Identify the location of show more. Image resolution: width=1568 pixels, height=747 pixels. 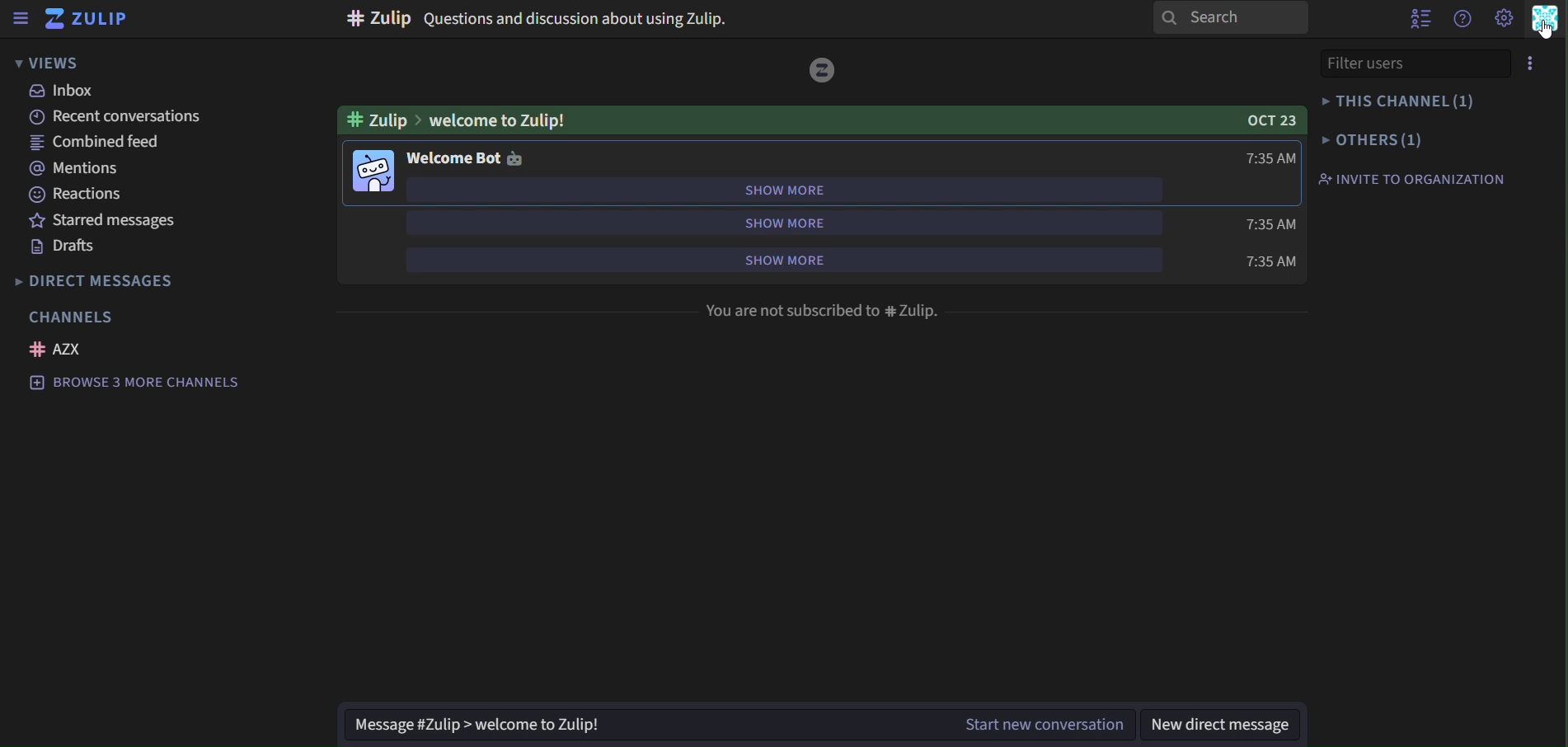
(786, 222).